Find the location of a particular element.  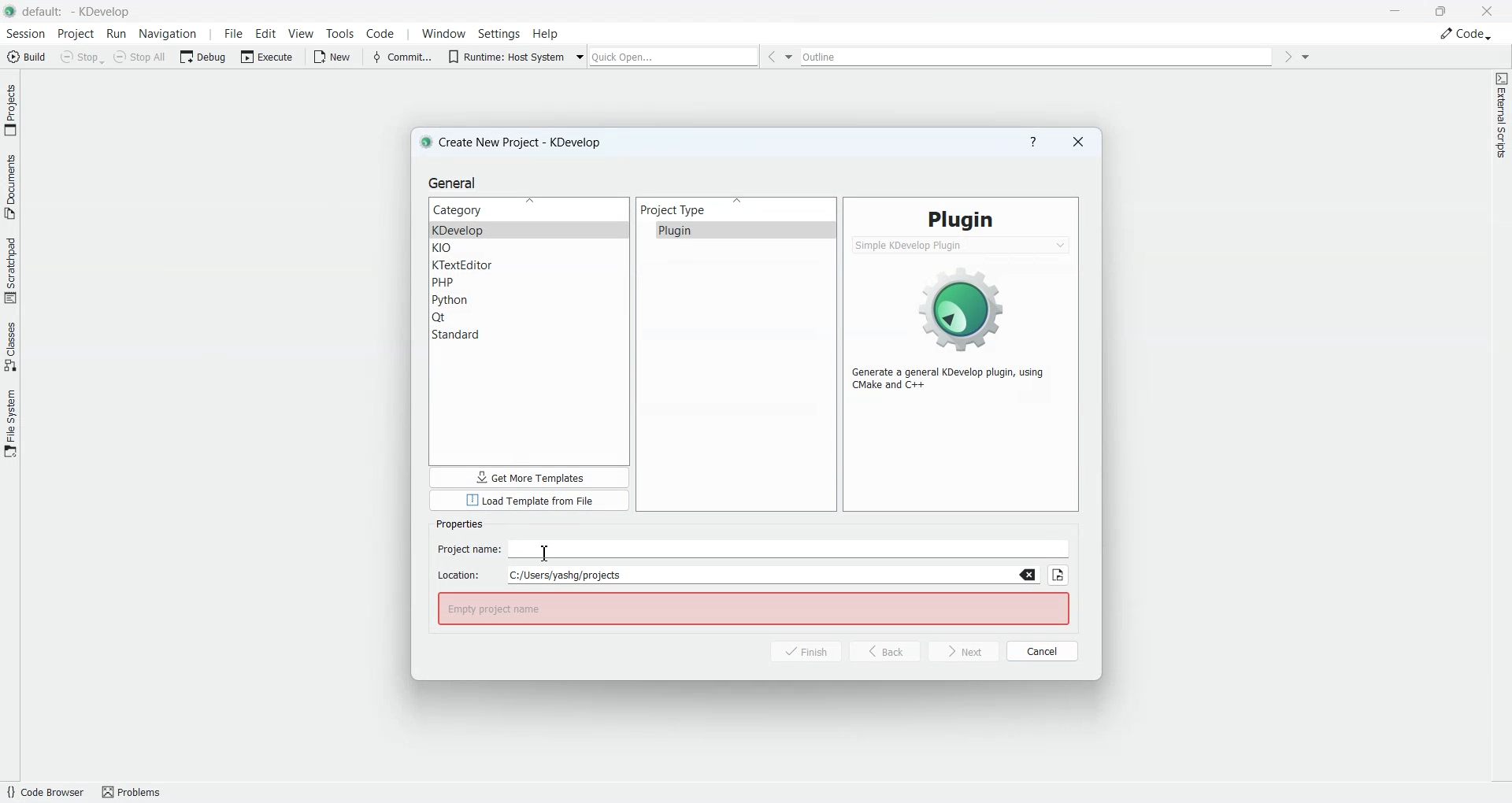

Python is located at coordinates (530, 300).